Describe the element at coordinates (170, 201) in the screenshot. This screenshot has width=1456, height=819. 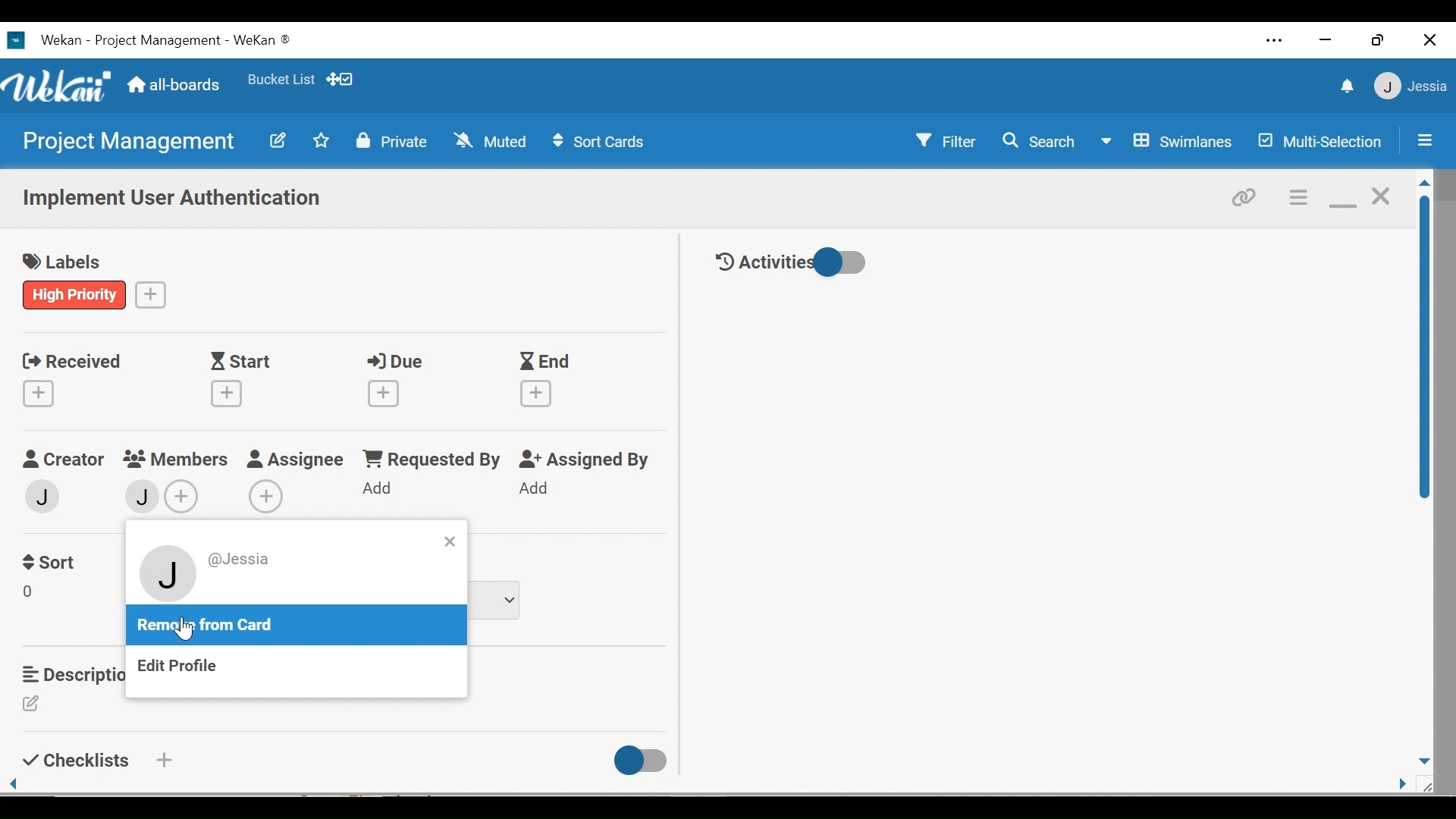
I see `Implement User Authentication` at that location.